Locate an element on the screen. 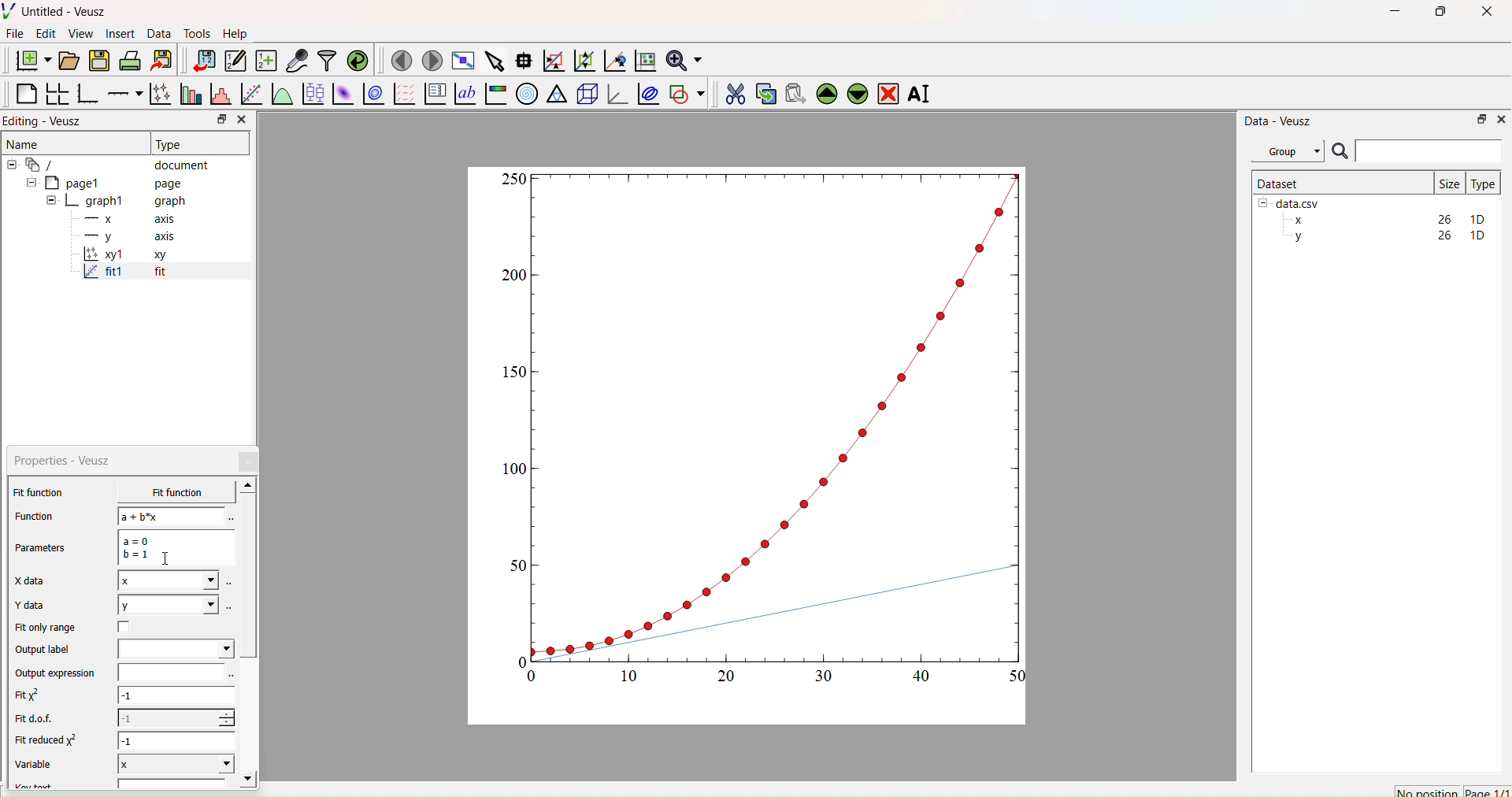  Add an axis to plot is located at coordinates (120, 92).